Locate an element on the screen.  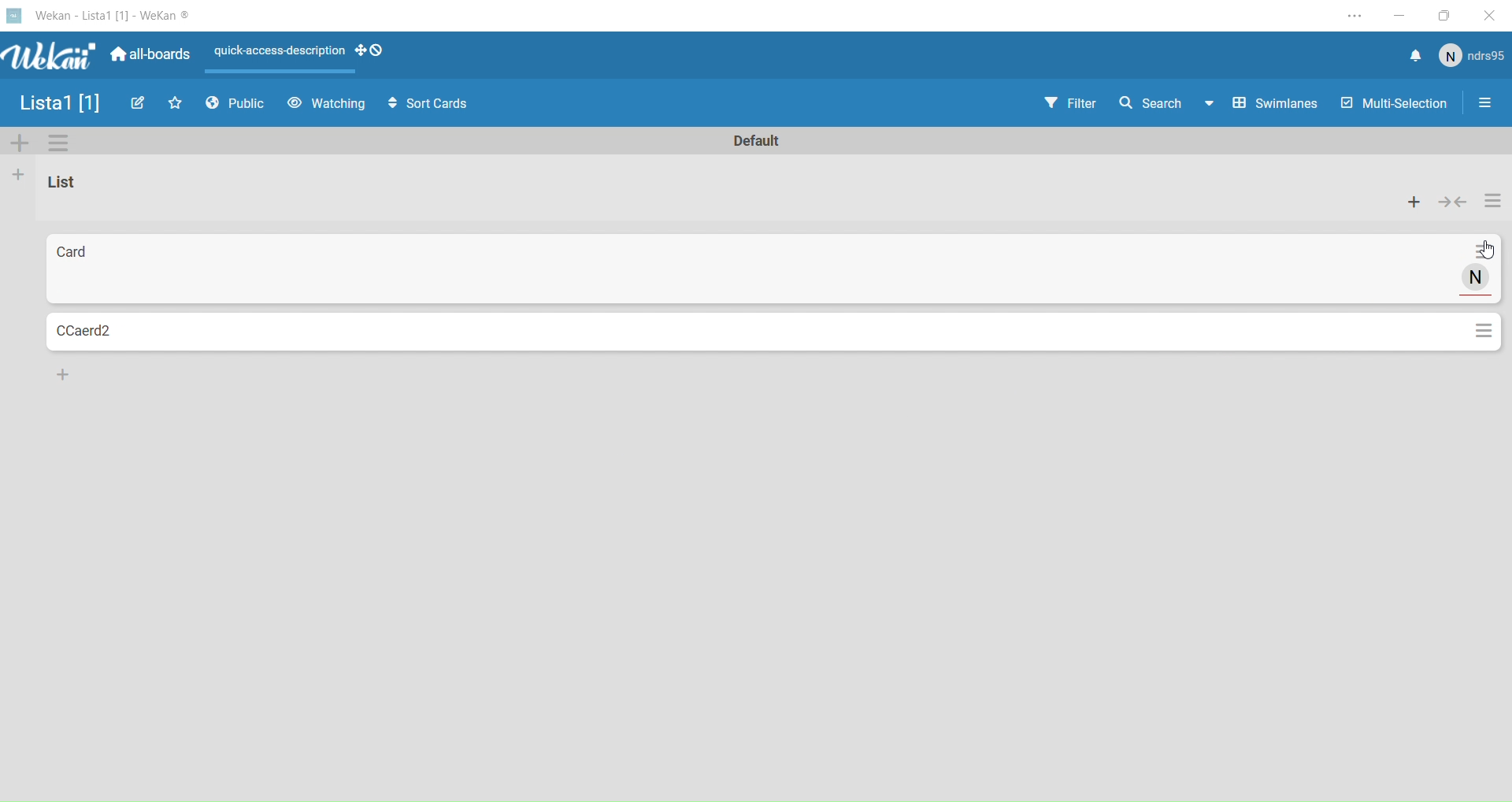
Text is located at coordinates (764, 141).